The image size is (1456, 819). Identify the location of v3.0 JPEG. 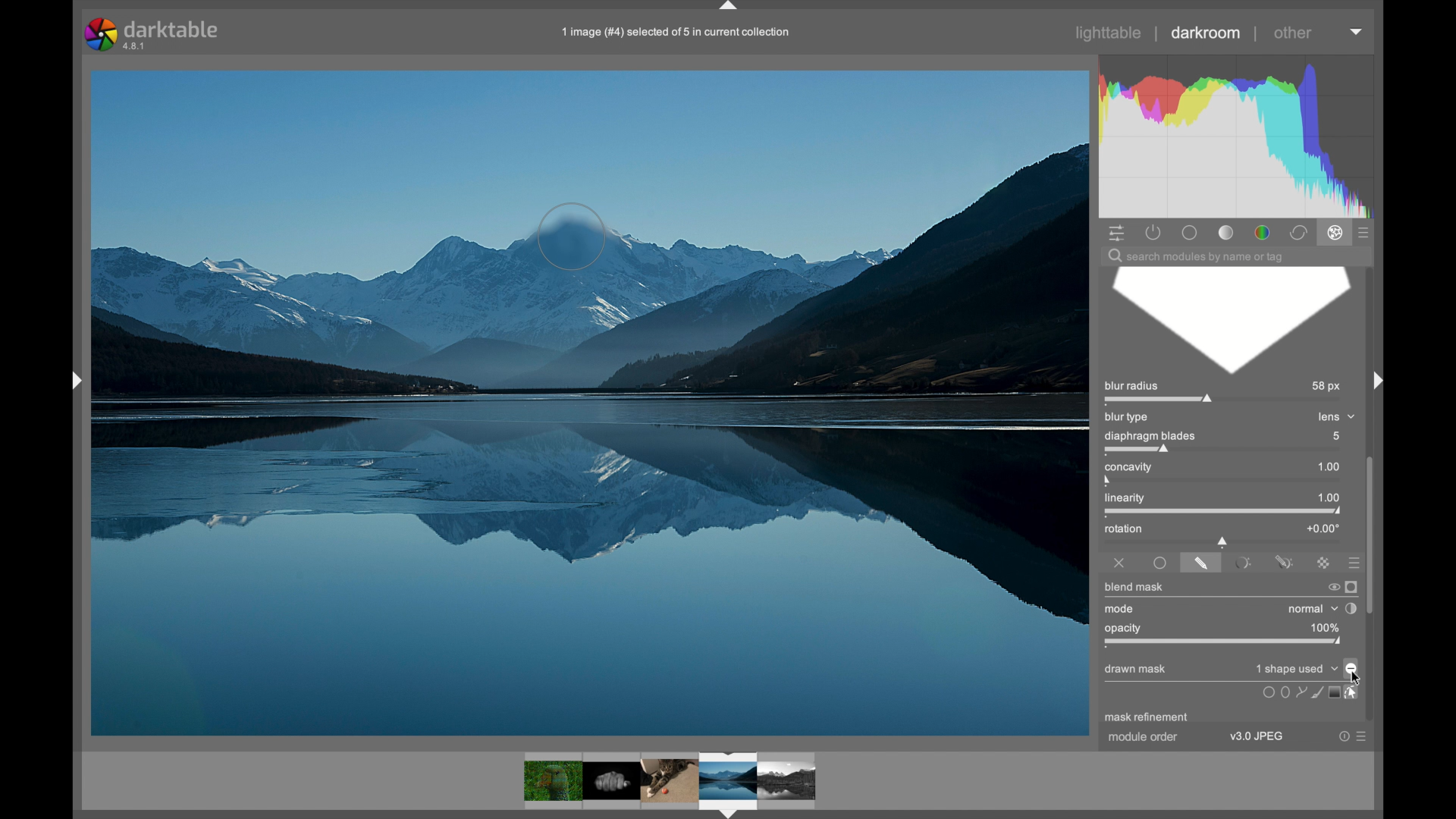
(1260, 739).